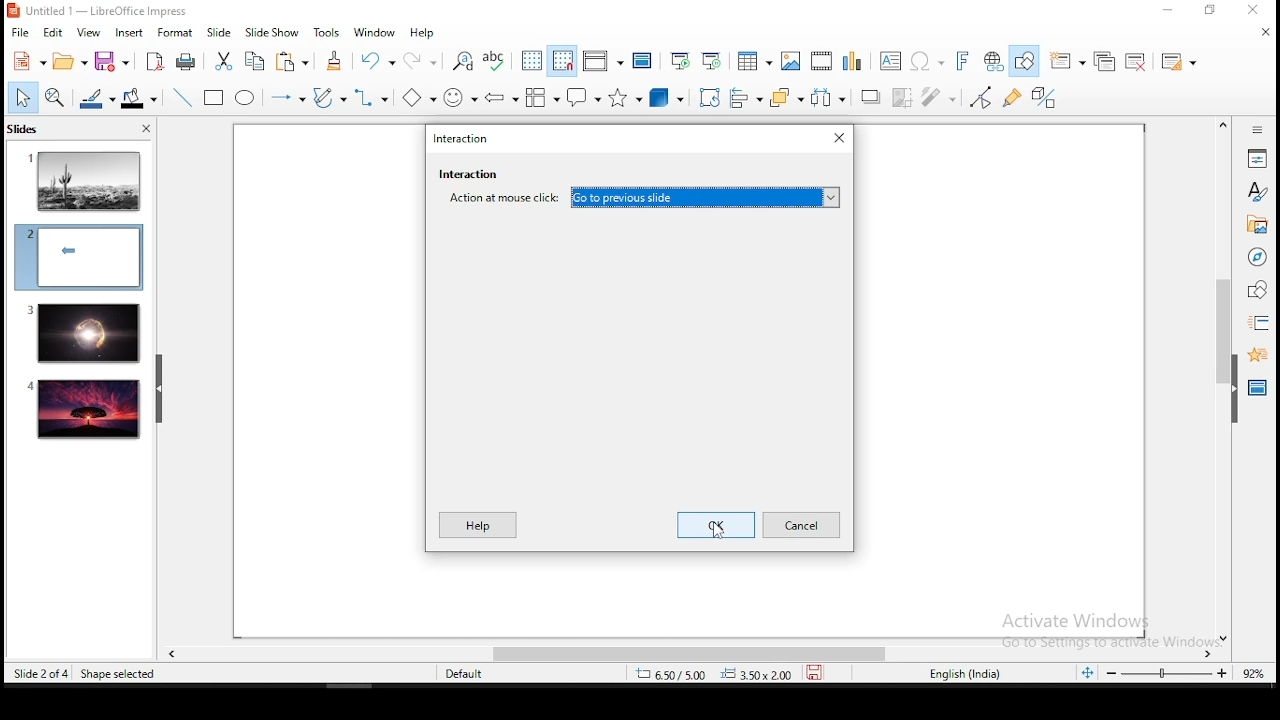  I want to click on save, so click(111, 62).